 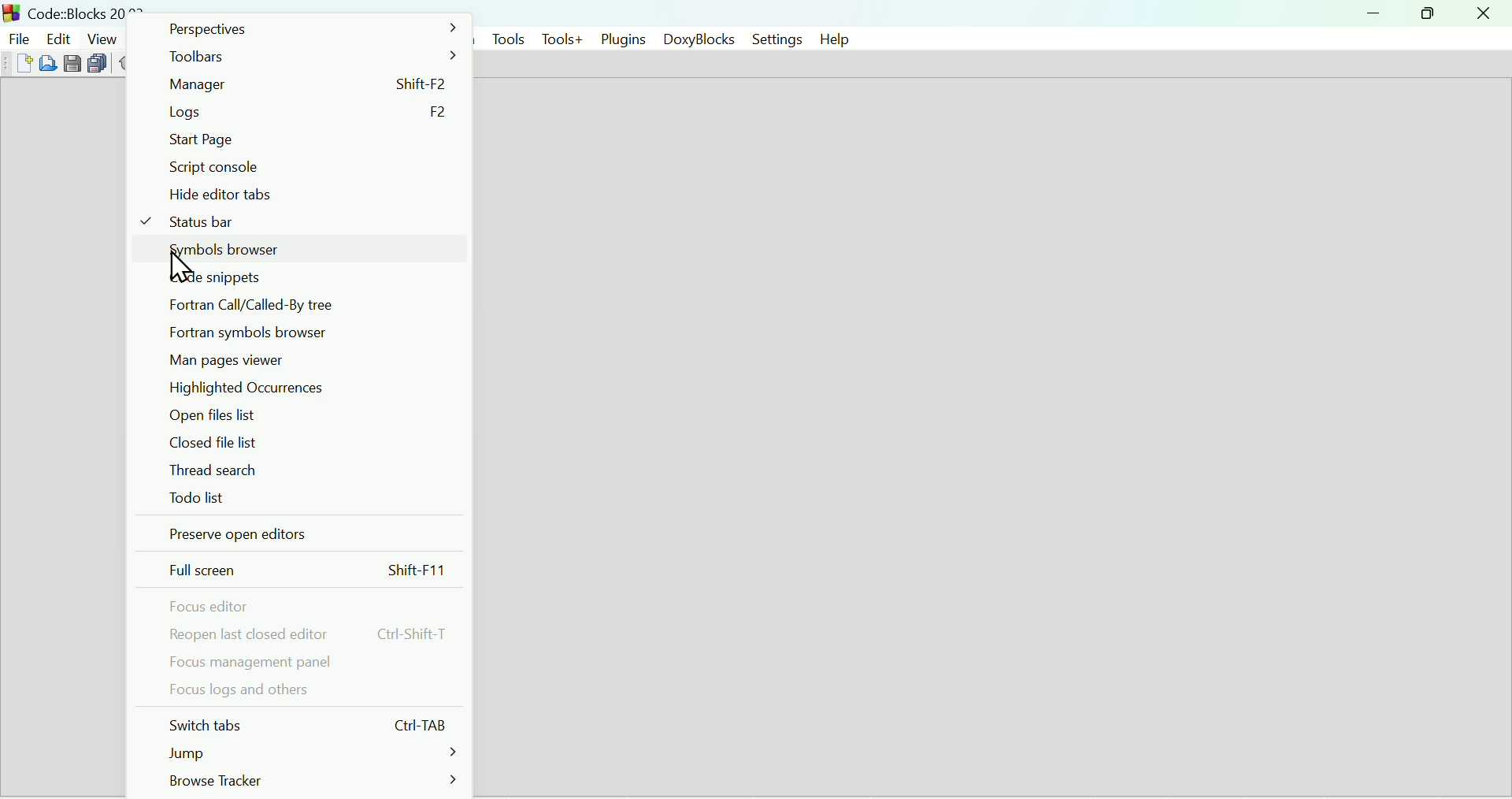 What do you see at coordinates (303, 388) in the screenshot?
I see `Highlighted occurrences` at bounding box center [303, 388].